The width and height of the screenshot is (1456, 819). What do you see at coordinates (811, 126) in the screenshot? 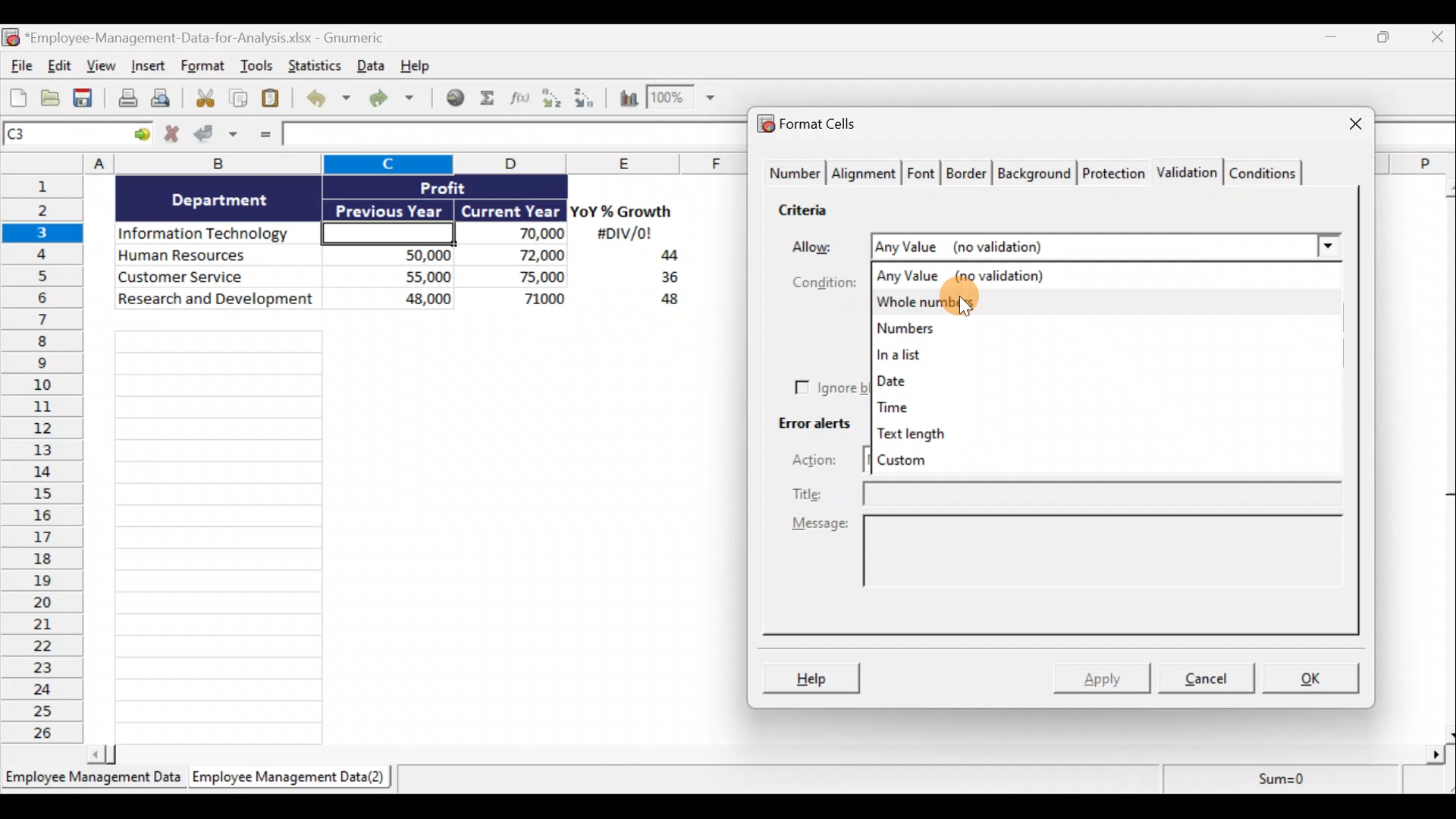
I see `Format cells` at bounding box center [811, 126].